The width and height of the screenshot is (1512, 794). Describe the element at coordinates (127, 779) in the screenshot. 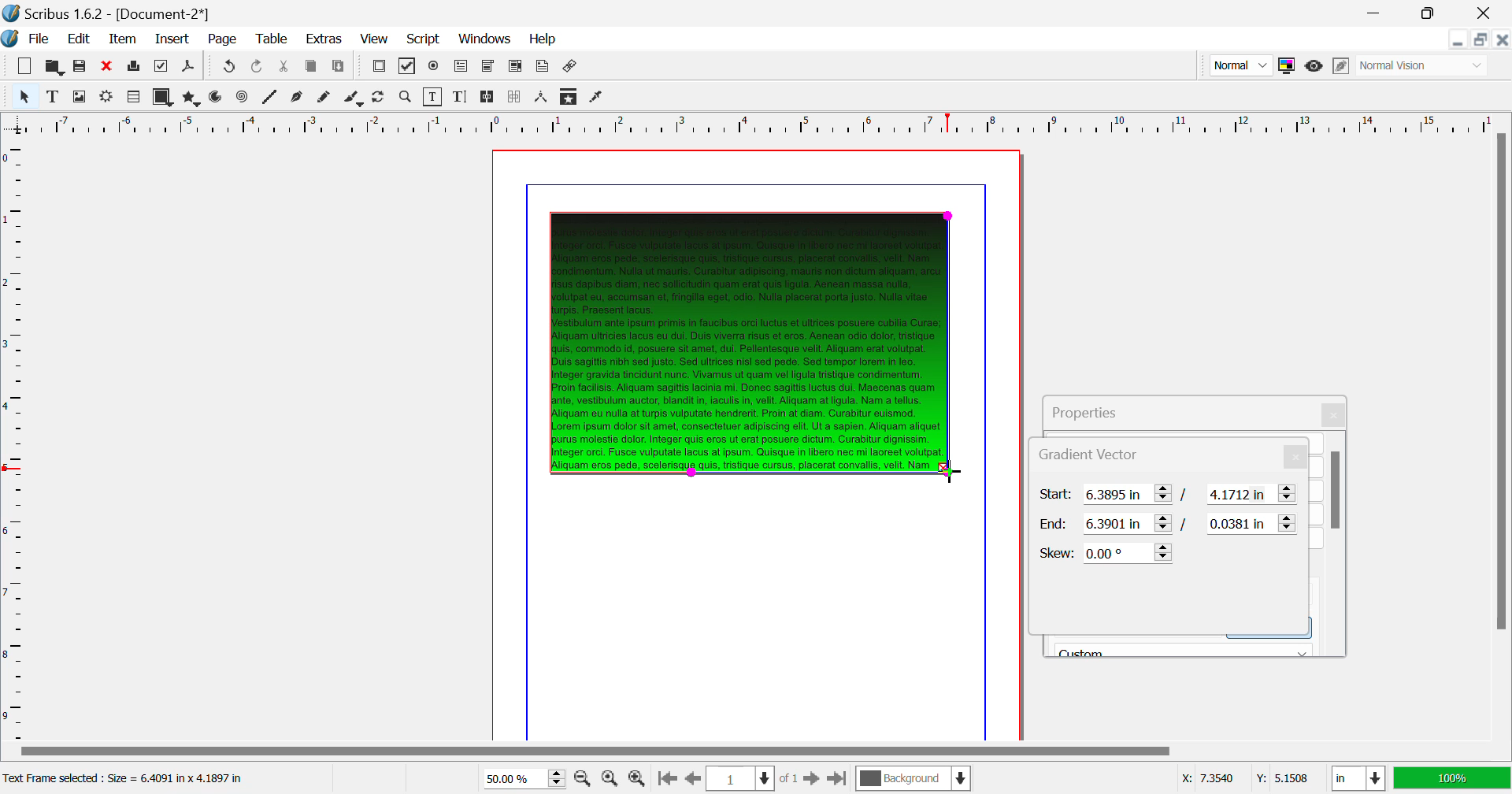

I see `Text Frame selected: Size = 6.4091 in x 4.1897 in` at that location.